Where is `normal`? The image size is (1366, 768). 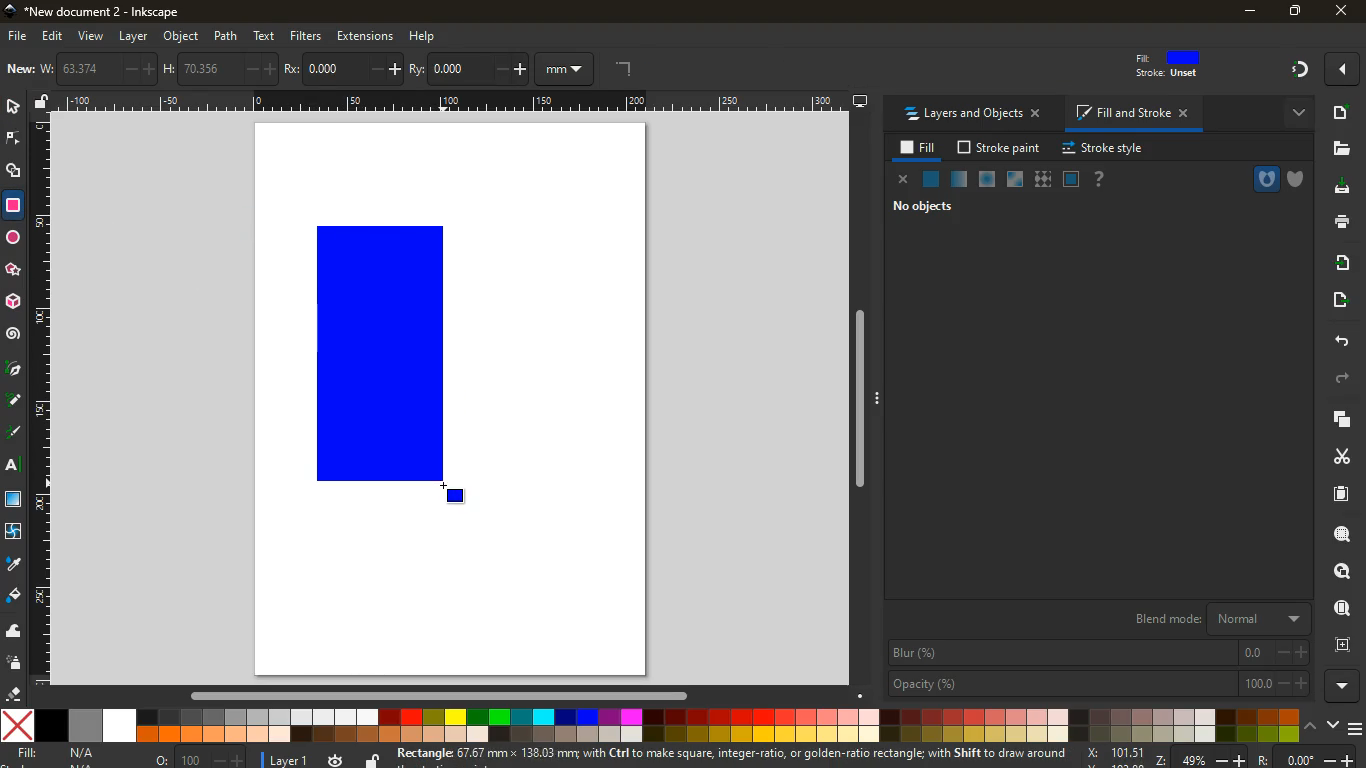
normal is located at coordinates (930, 179).